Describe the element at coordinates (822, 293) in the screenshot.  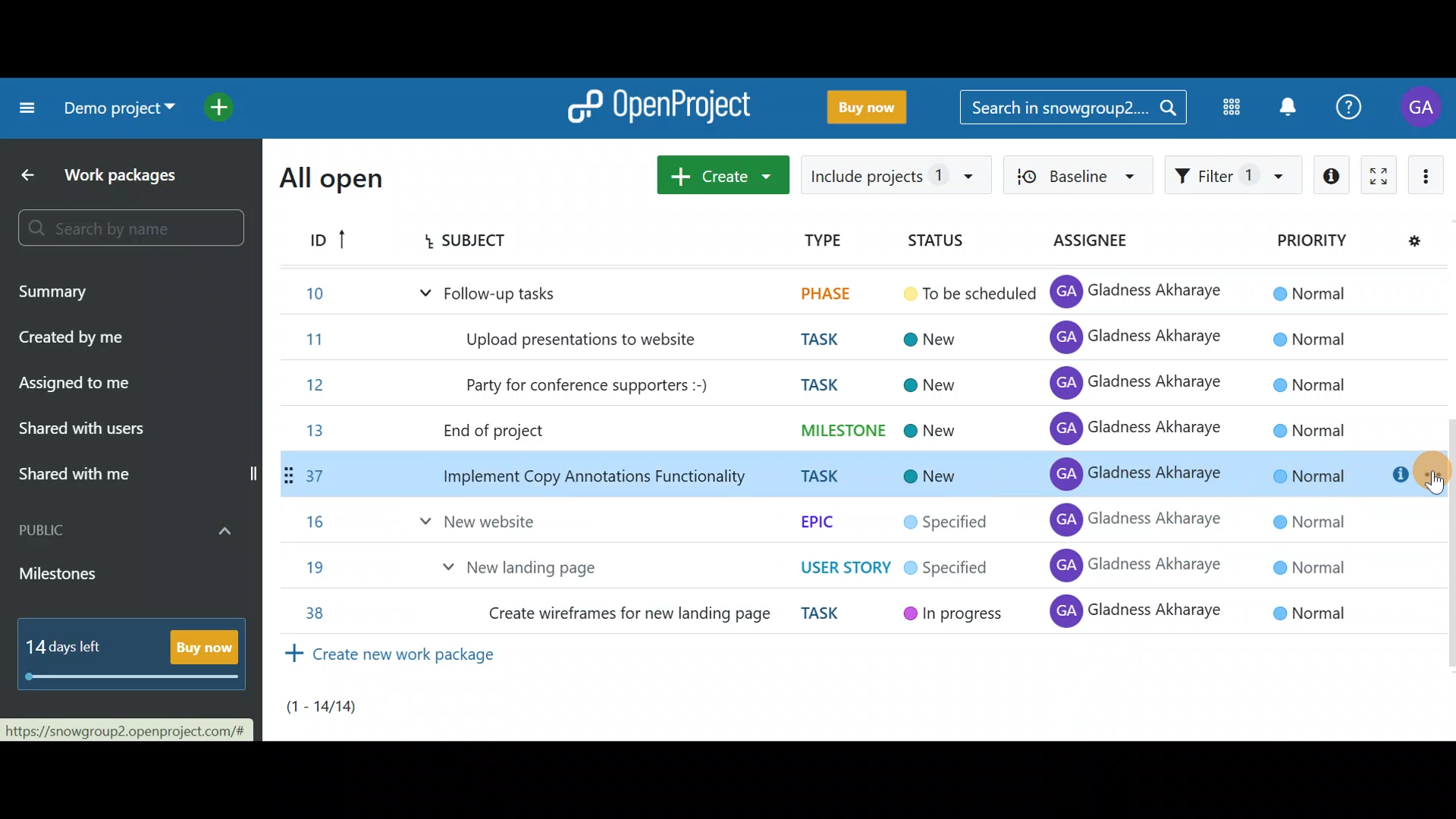
I see `PHASE` at that location.